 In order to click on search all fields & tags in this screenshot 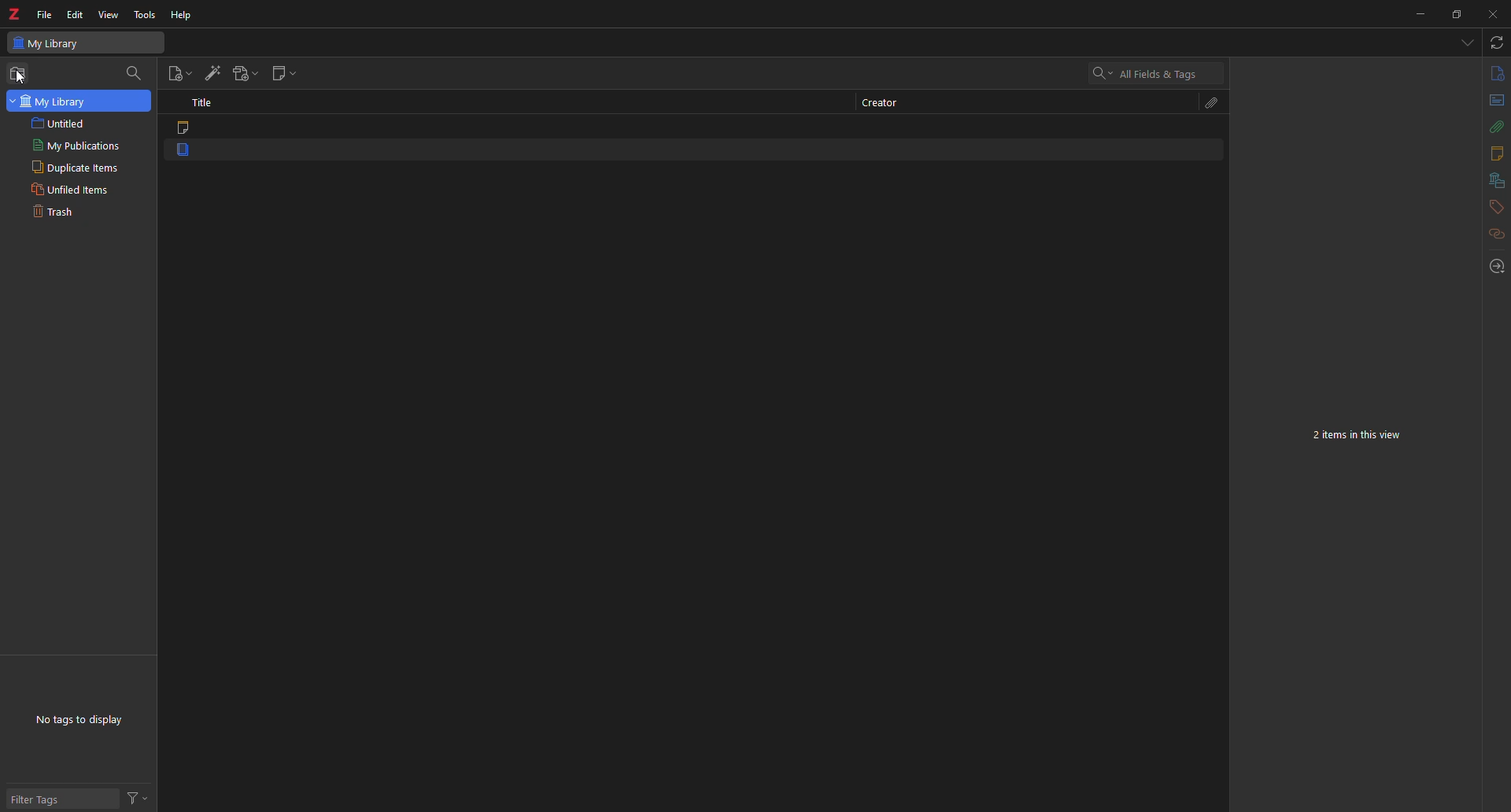, I will do `click(1145, 74)`.